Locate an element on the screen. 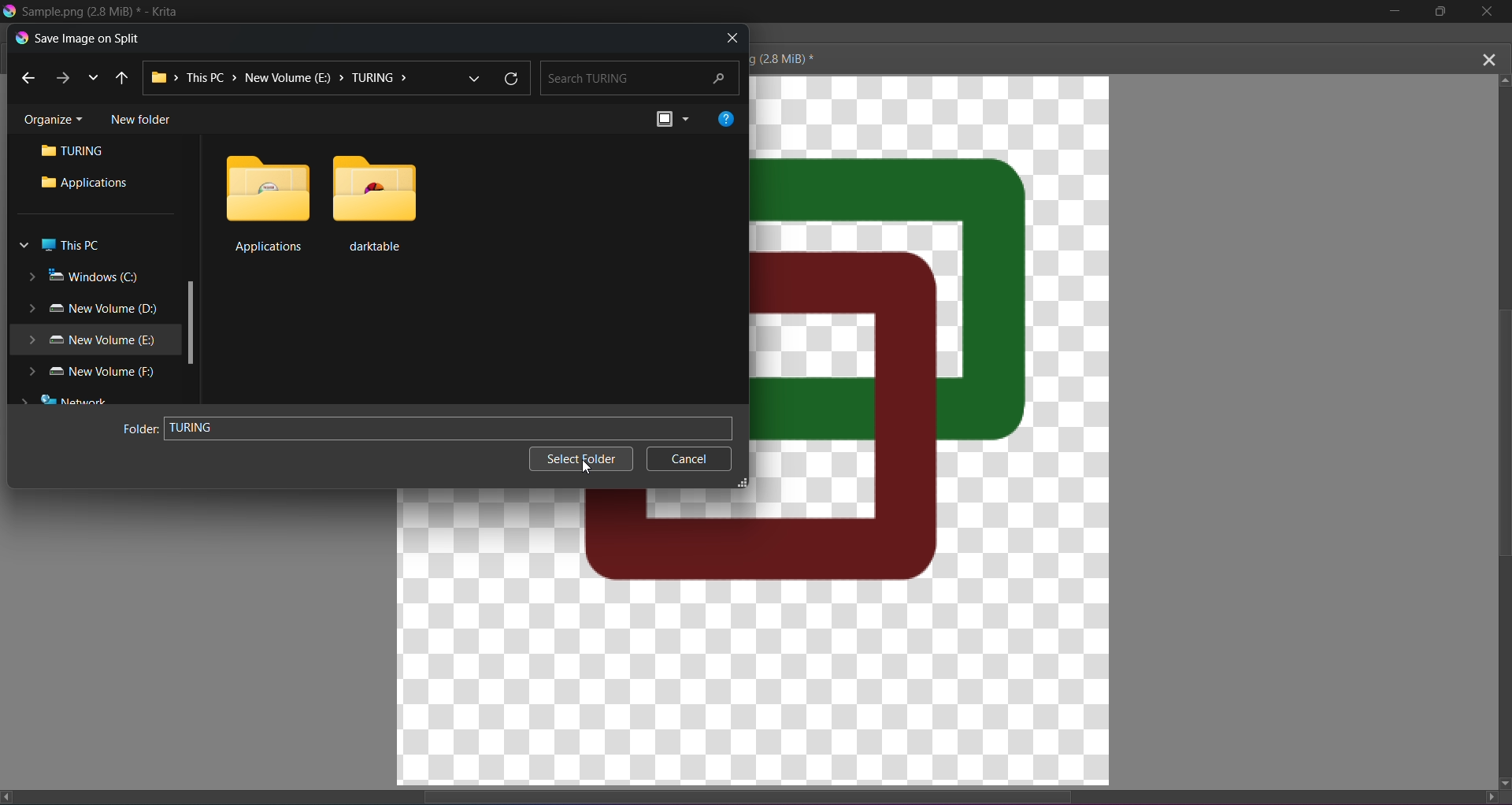 This screenshot has width=1512, height=805. Applications is located at coordinates (265, 202).